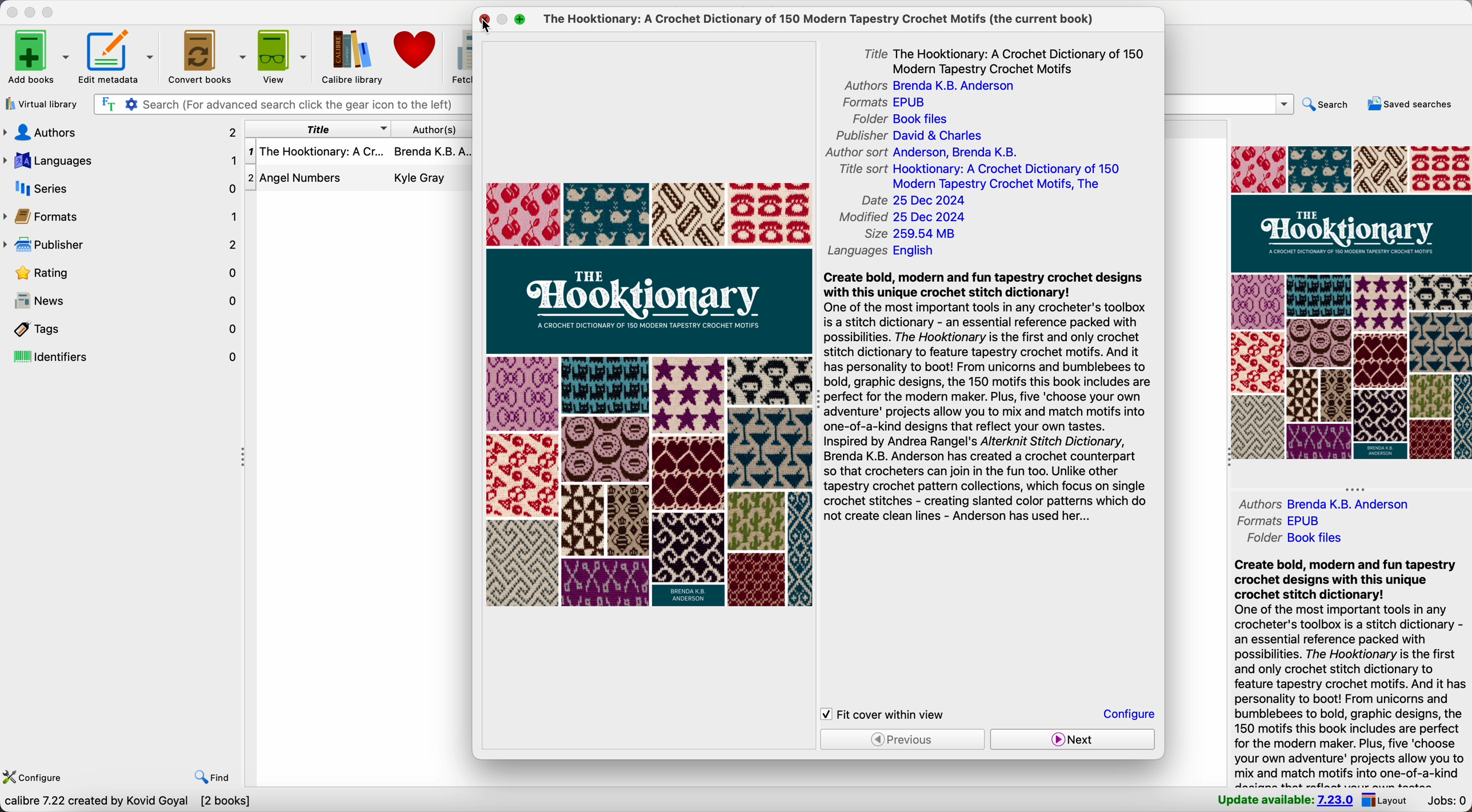 This screenshot has width=1472, height=812. I want to click on The Hooktionary book details, so click(359, 154).